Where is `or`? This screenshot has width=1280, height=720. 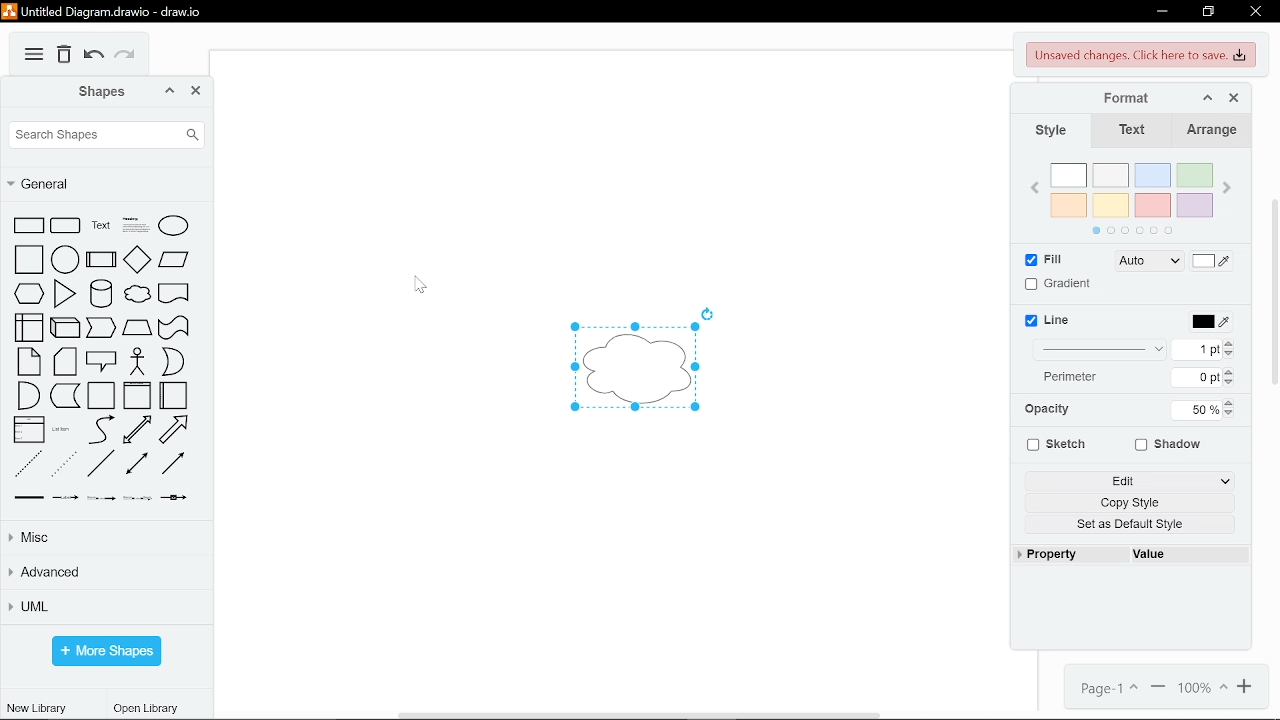
or is located at coordinates (173, 362).